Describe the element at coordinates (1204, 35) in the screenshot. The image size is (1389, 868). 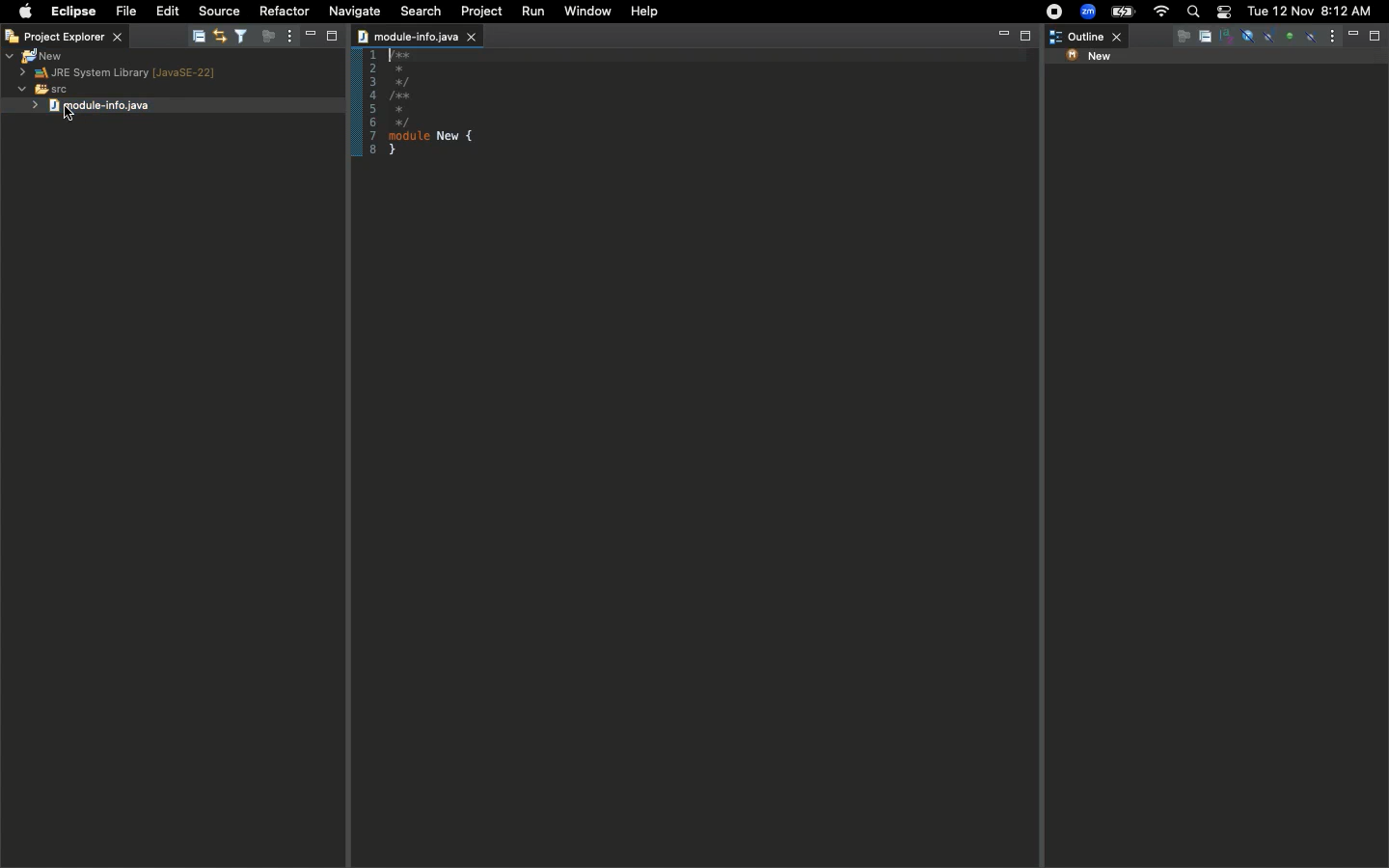
I see `` at that location.